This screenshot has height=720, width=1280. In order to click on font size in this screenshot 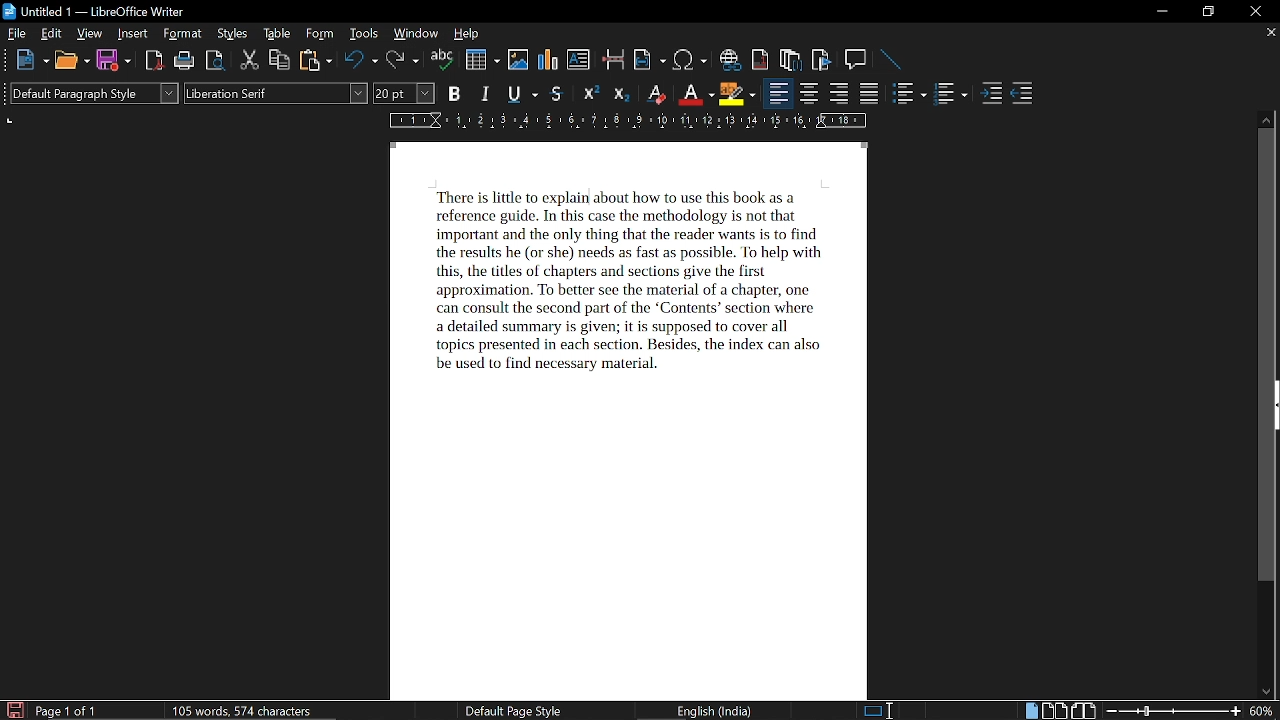, I will do `click(405, 93)`.